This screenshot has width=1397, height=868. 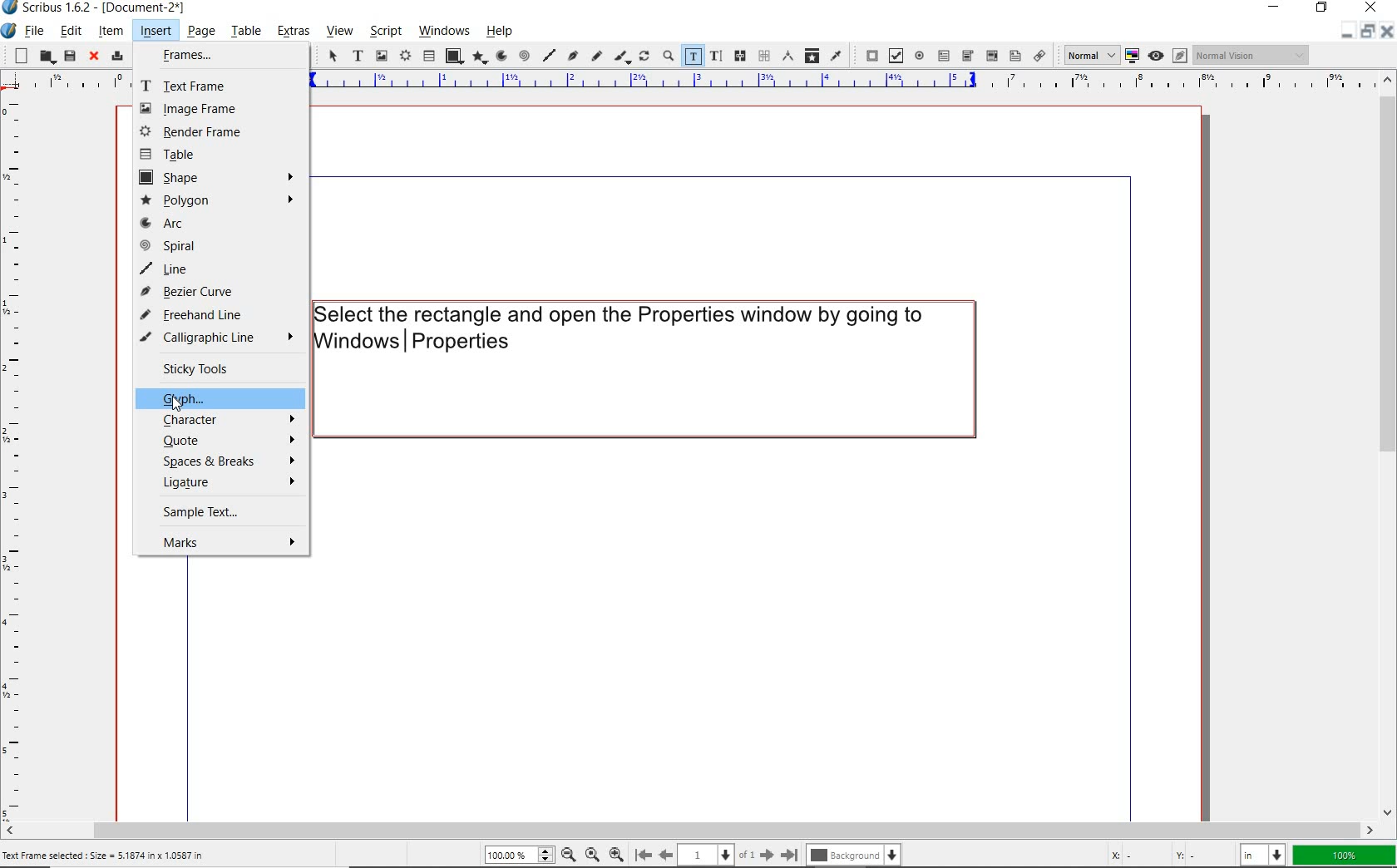 What do you see at coordinates (220, 177) in the screenshot?
I see `shape` at bounding box center [220, 177].